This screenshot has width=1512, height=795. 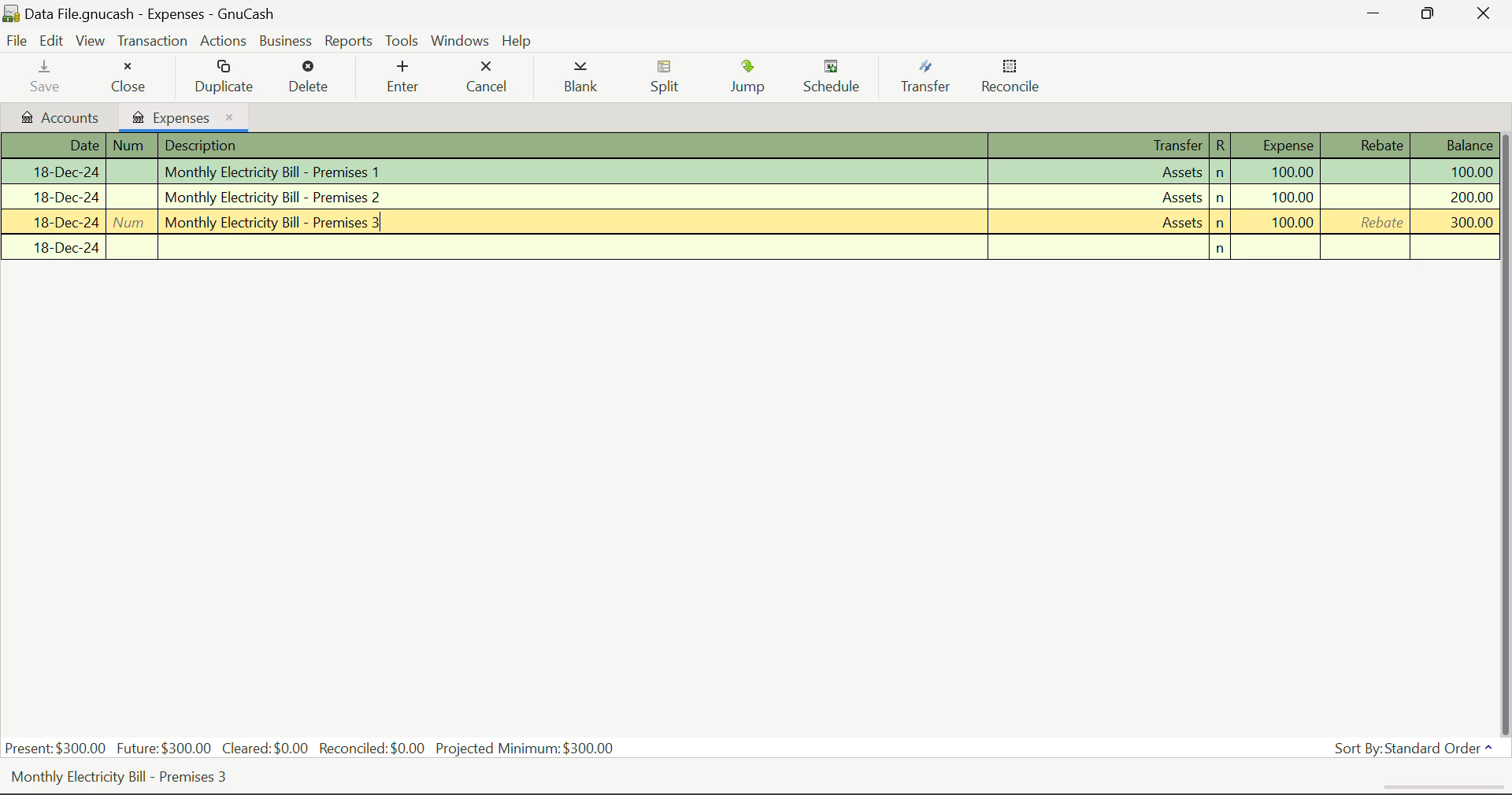 I want to click on Restore Down, so click(x=1376, y=17).